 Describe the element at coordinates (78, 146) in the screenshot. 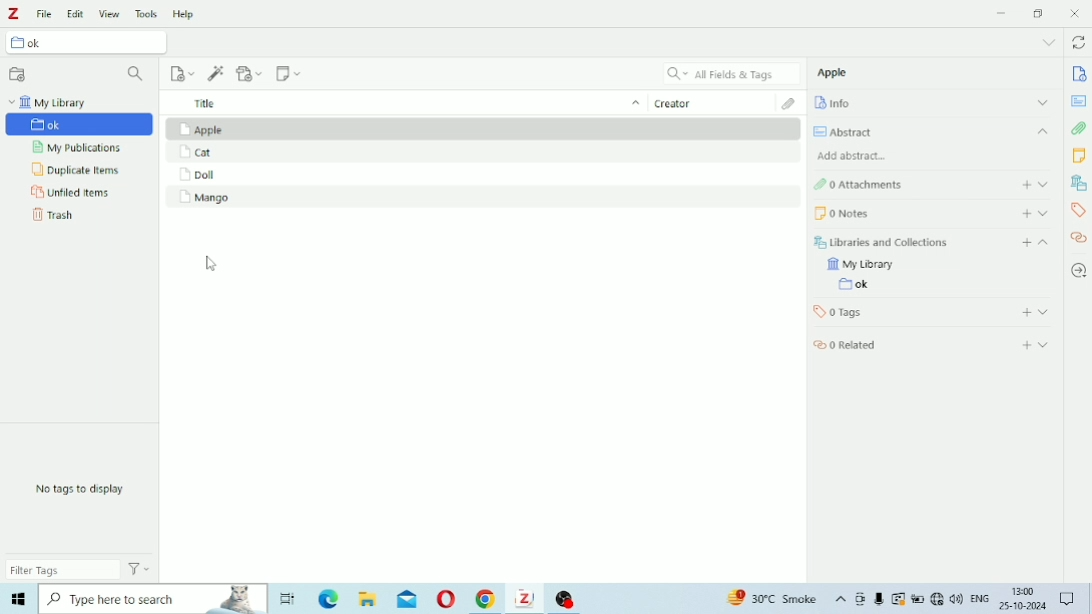

I see `My Publications` at that location.